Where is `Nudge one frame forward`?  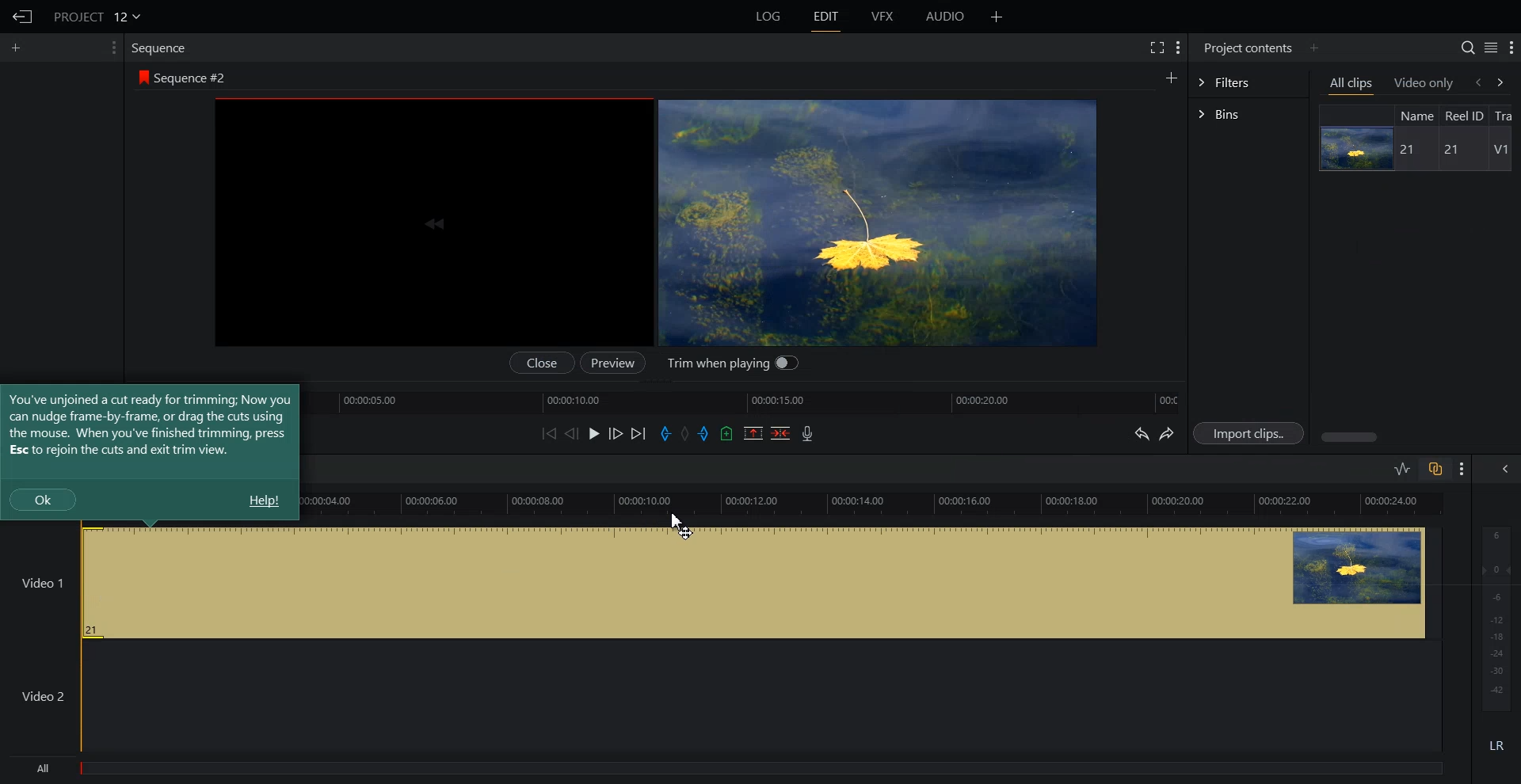 Nudge one frame forward is located at coordinates (616, 432).